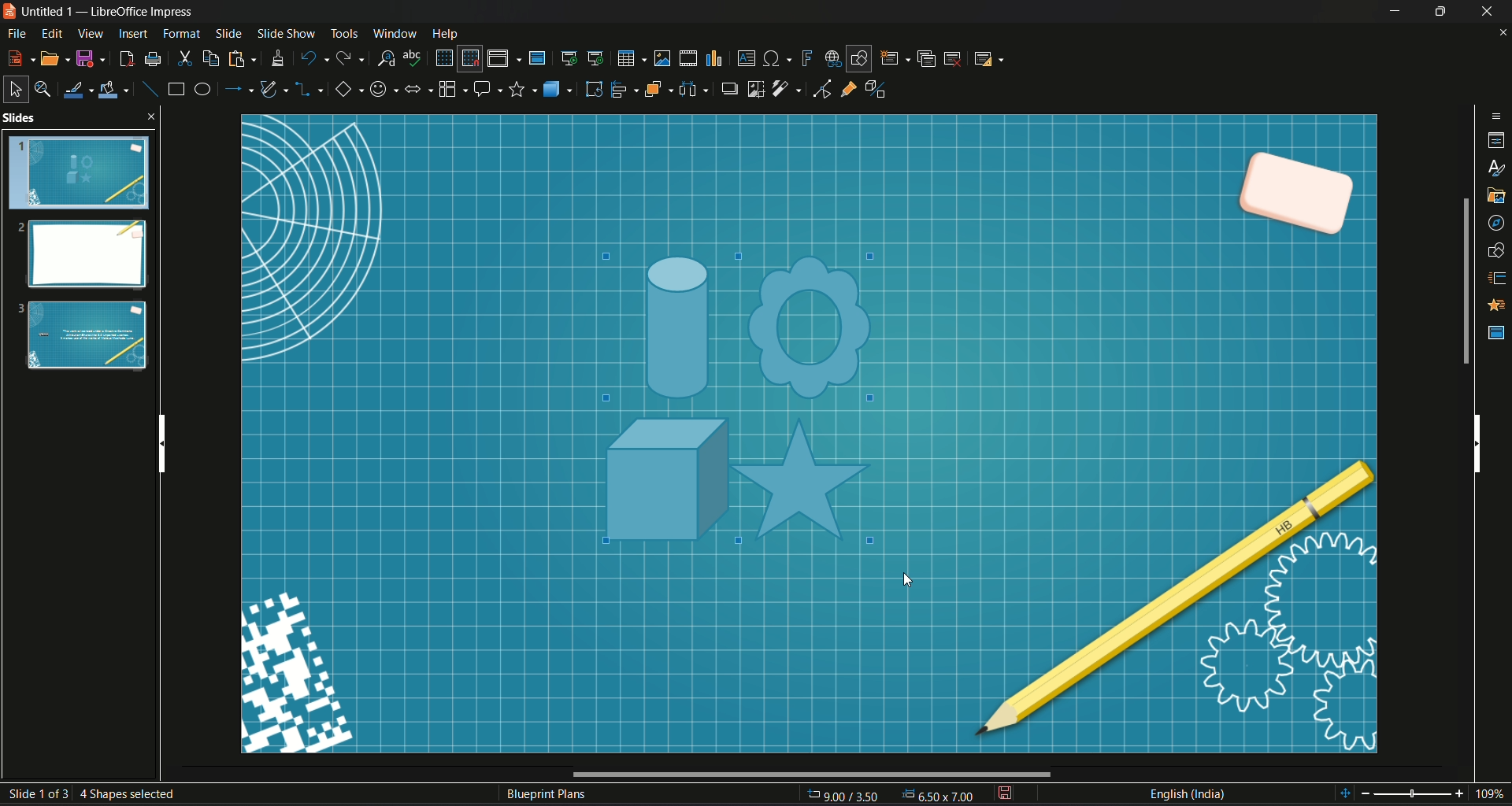 Image resolution: width=1512 pixels, height=806 pixels. What do you see at coordinates (1439, 11) in the screenshot?
I see `Minimize/Maximize` at bounding box center [1439, 11].